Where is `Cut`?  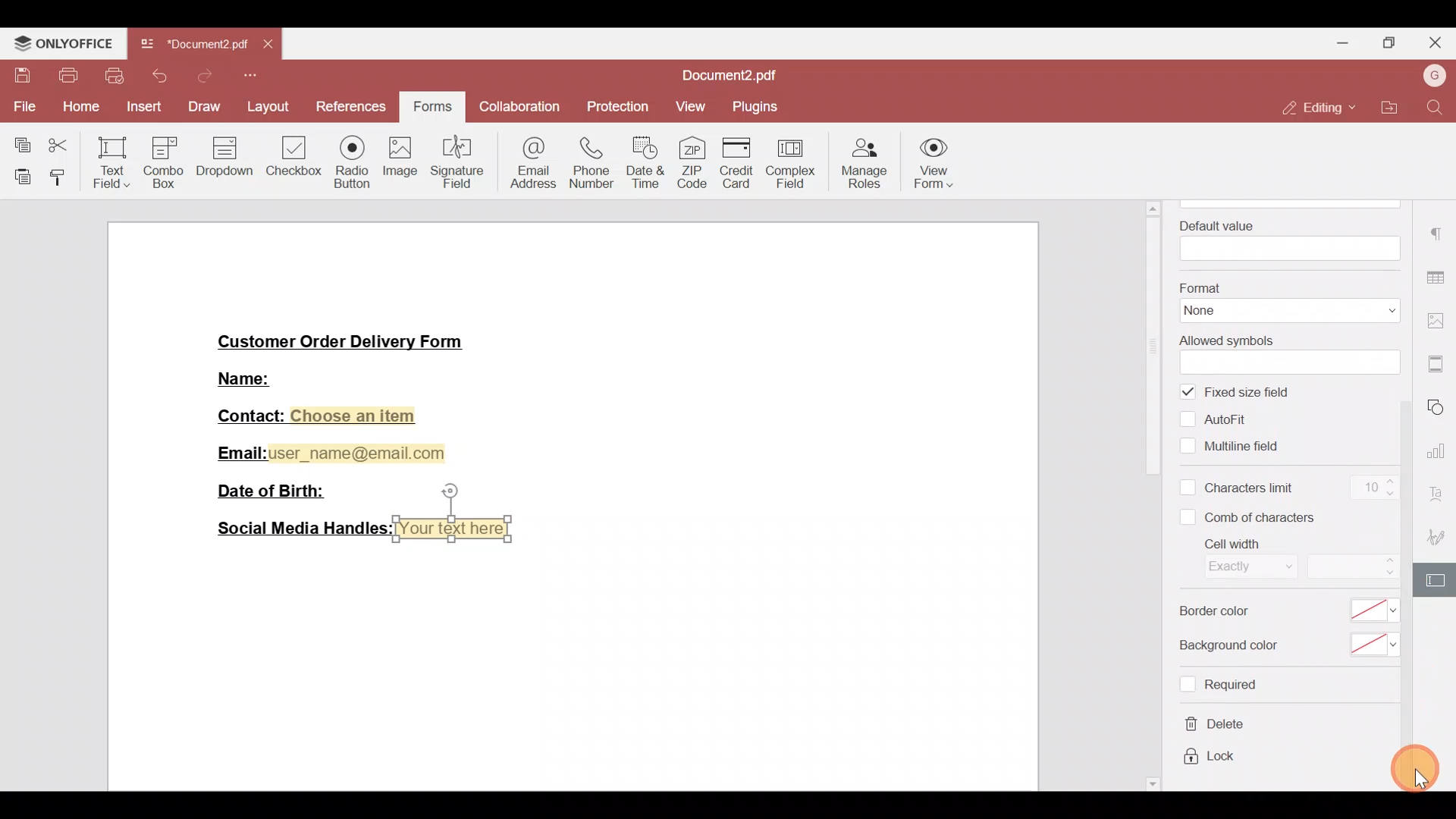 Cut is located at coordinates (60, 146).